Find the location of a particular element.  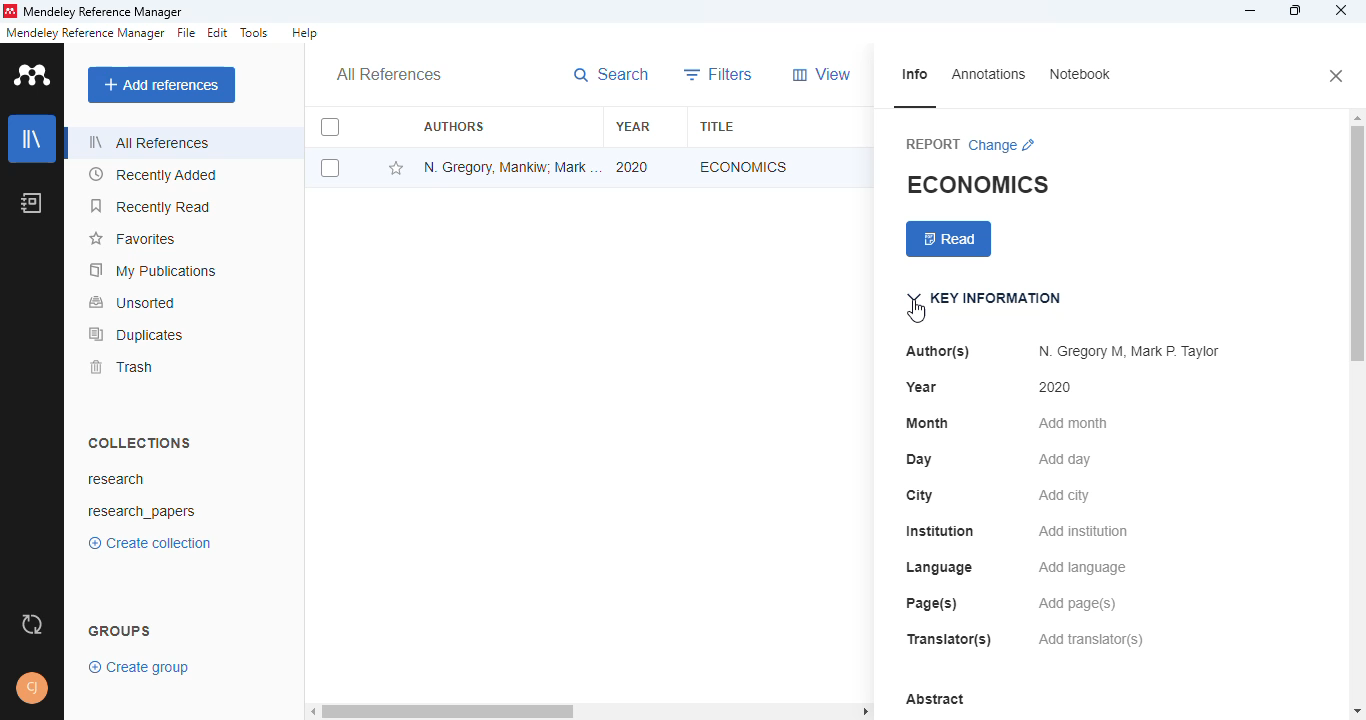

economics is located at coordinates (744, 166).